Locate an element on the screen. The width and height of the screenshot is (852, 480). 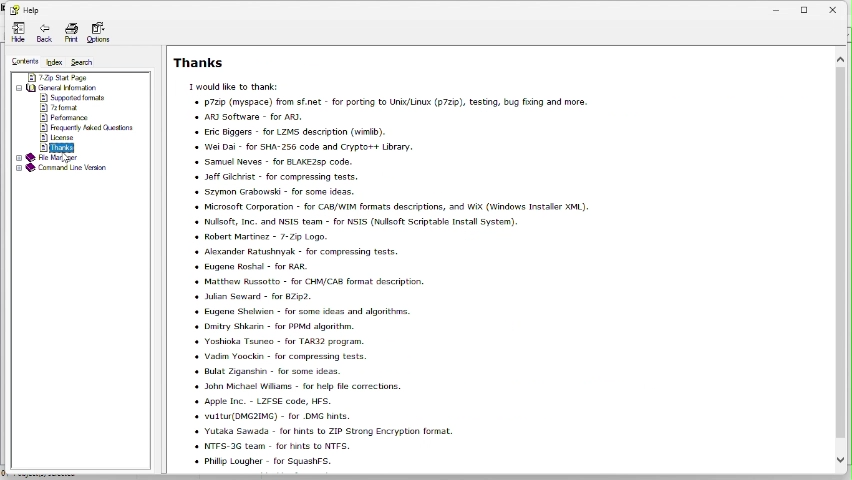
Options is located at coordinates (98, 31).